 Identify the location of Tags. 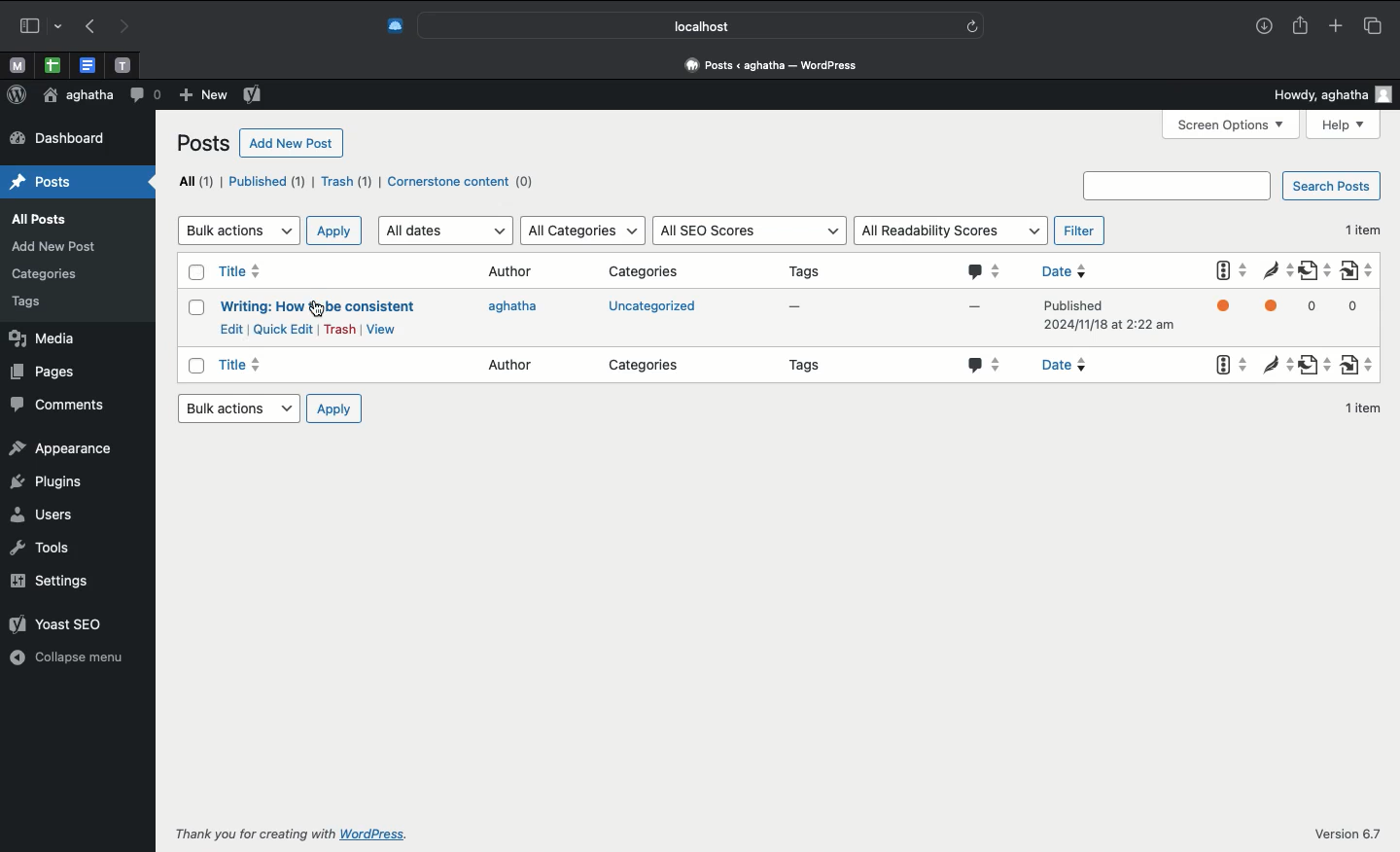
(812, 368).